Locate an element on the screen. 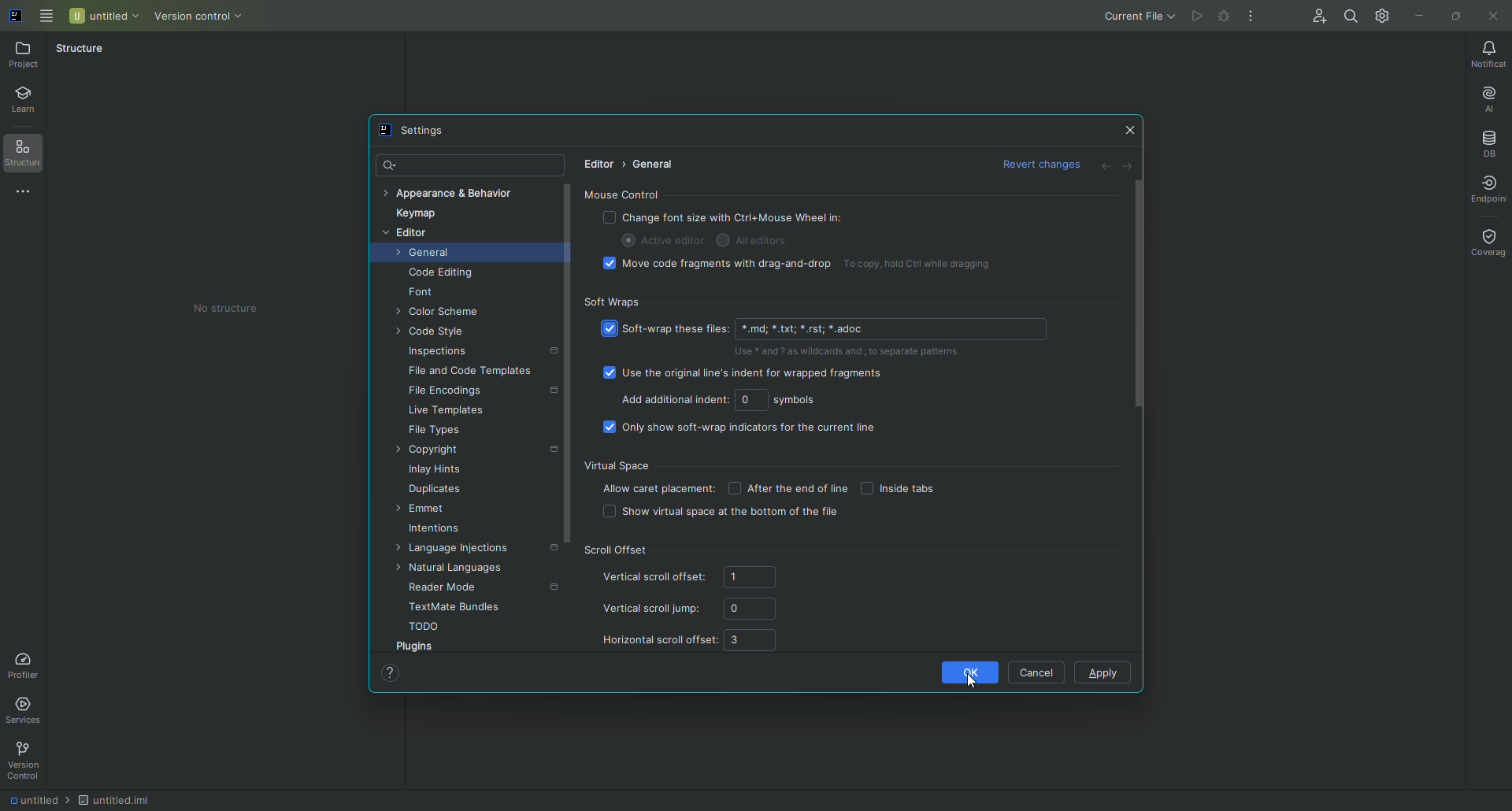 This screenshot has height=811, width=1512. Code Editing is located at coordinates (442, 274).